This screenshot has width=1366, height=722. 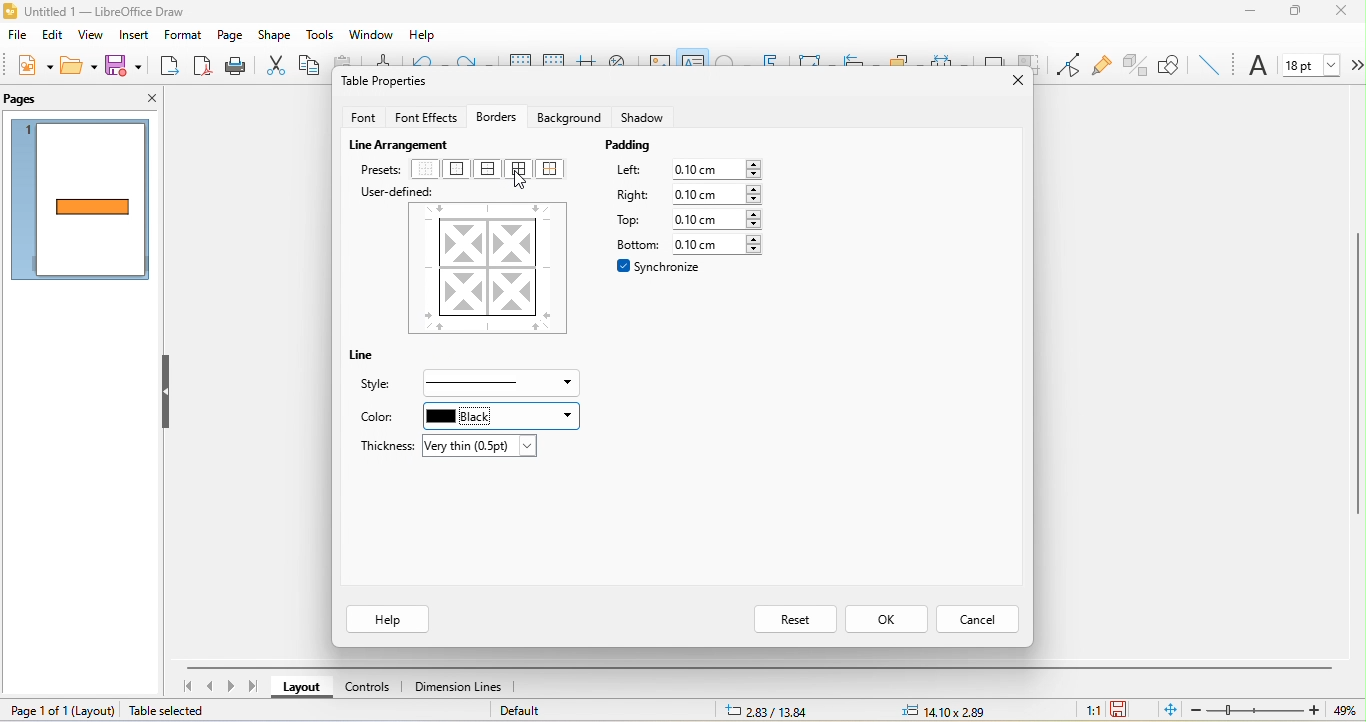 I want to click on cursor movement, so click(x=525, y=182).